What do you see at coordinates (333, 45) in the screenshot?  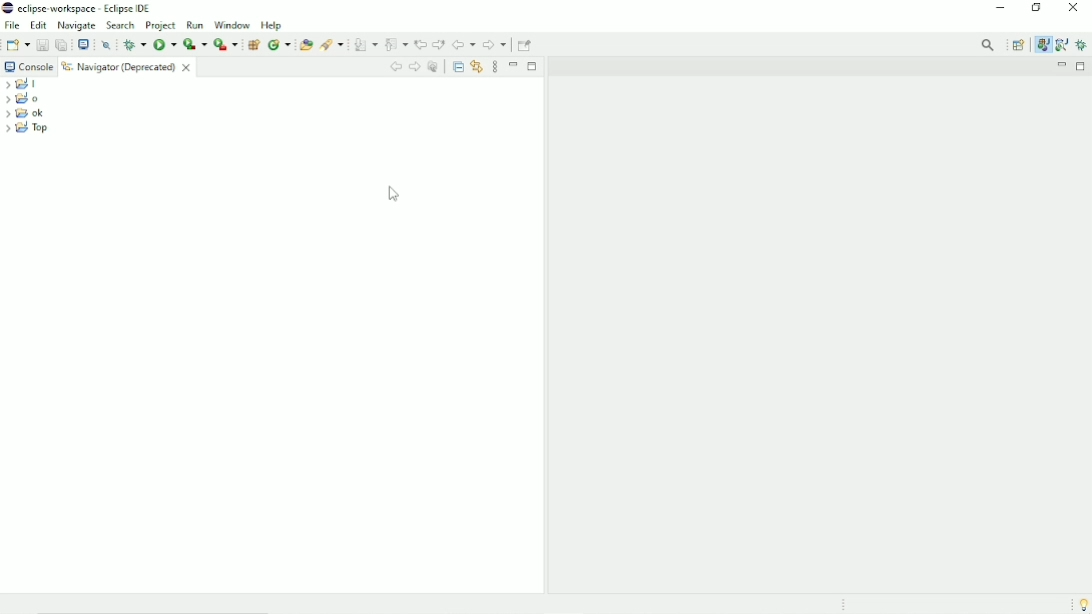 I see `Search` at bounding box center [333, 45].